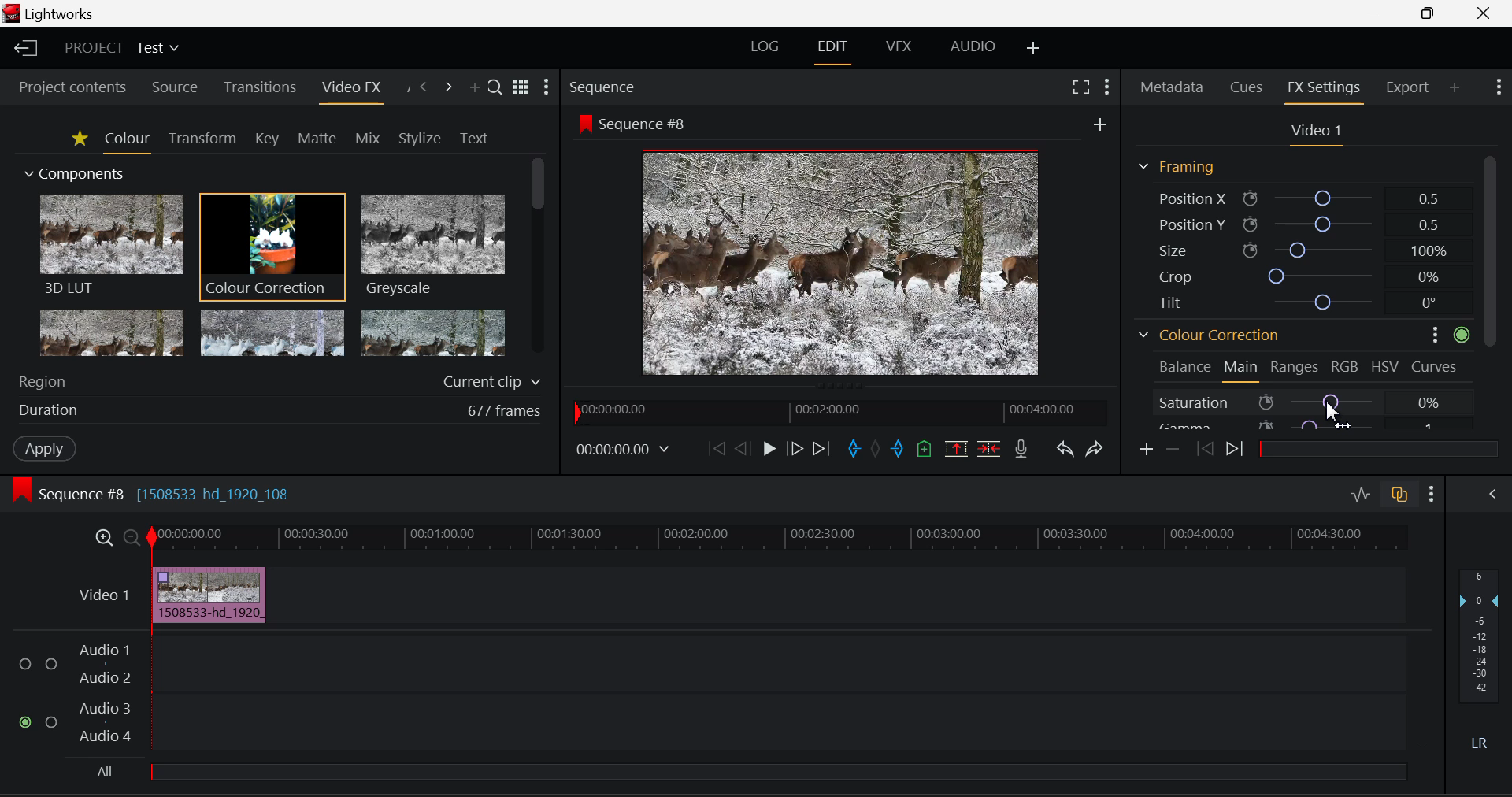 The width and height of the screenshot is (1512, 797). Describe the element at coordinates (1147, 450) in the screenshot. I see `Add keyframe` at that location.